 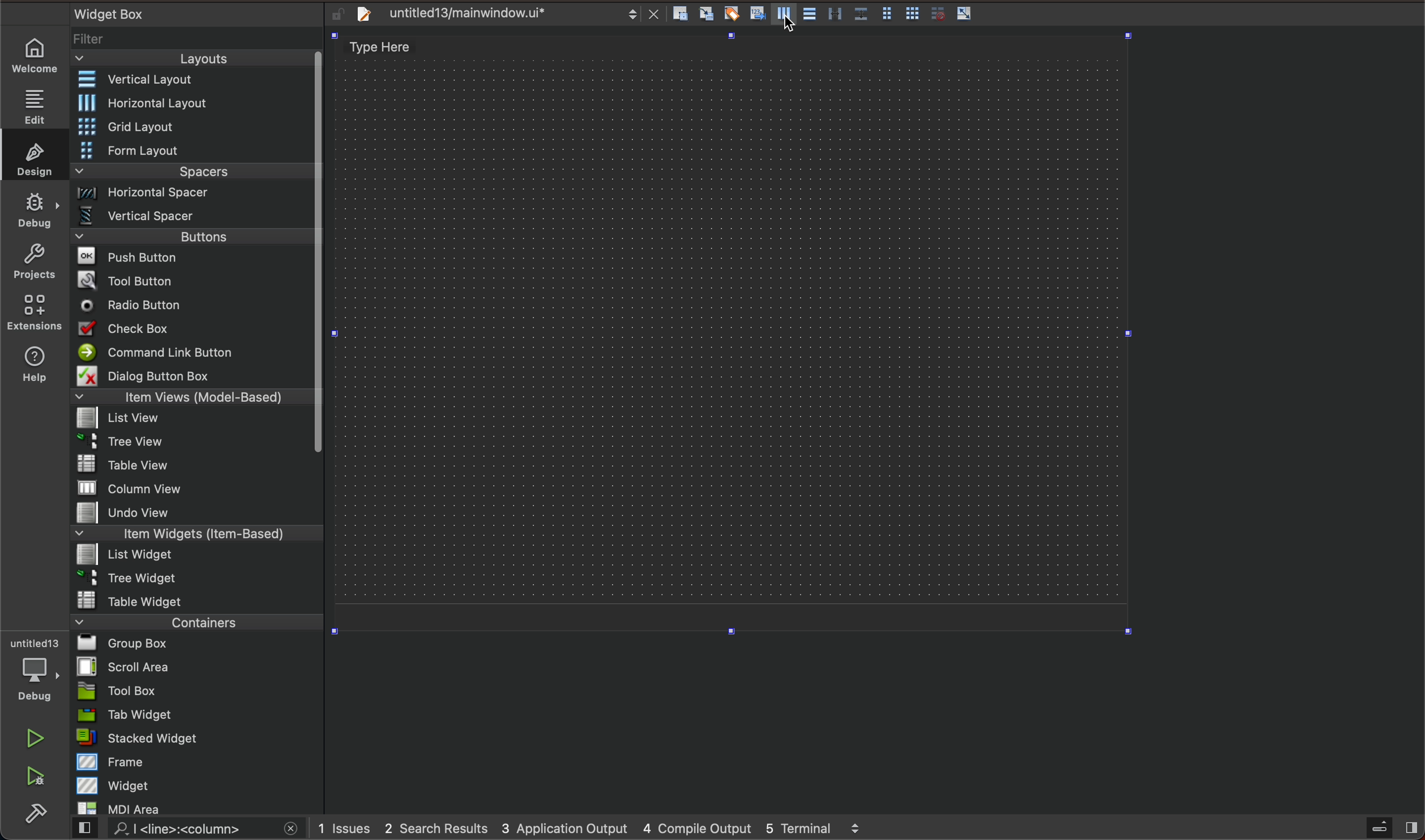 What do you see at coordinates (37, 102) in the screenshot?
I see `edit` at bounding box center [37, 102].